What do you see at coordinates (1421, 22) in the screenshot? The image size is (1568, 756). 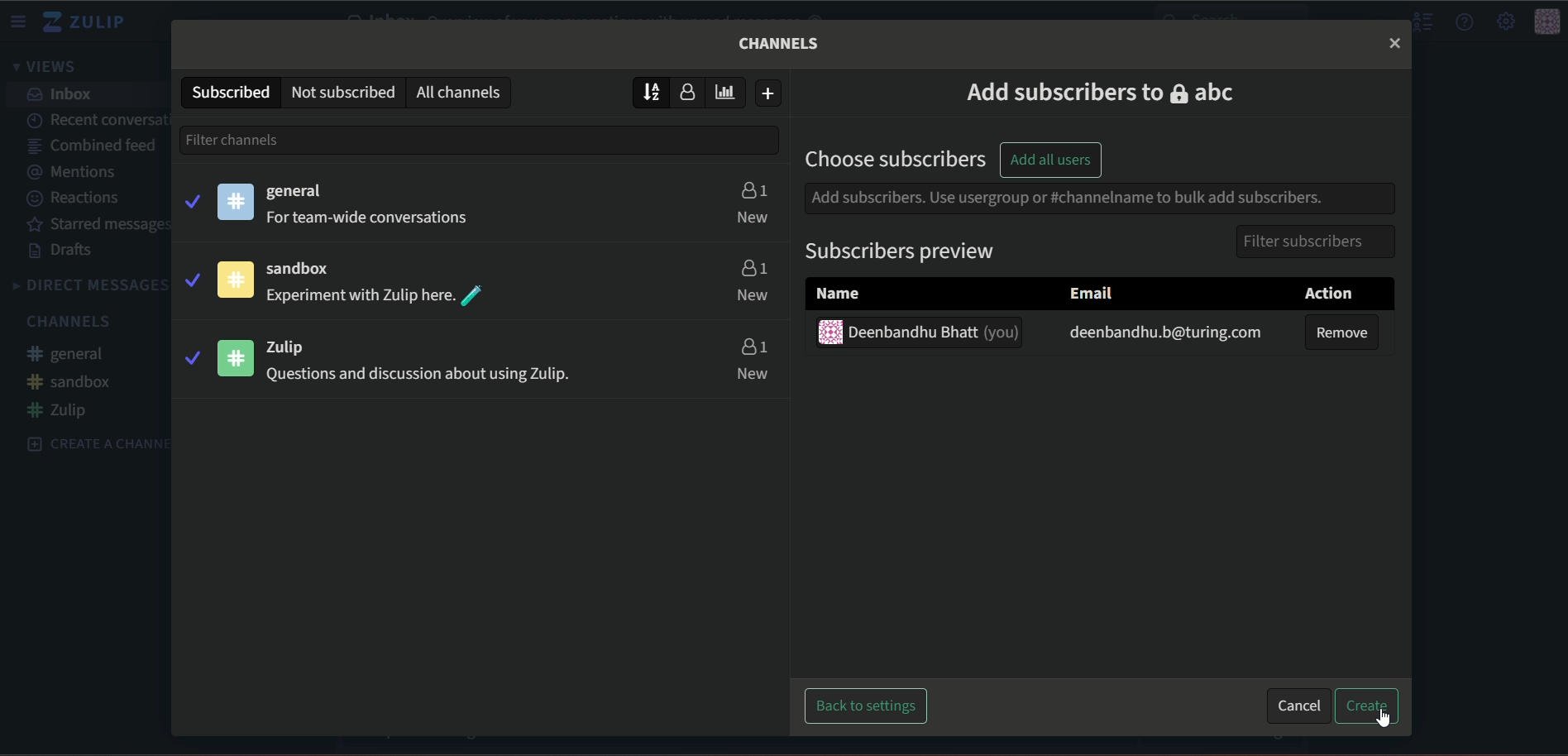 I see `hide menu` at bounding box center [1421, 22].